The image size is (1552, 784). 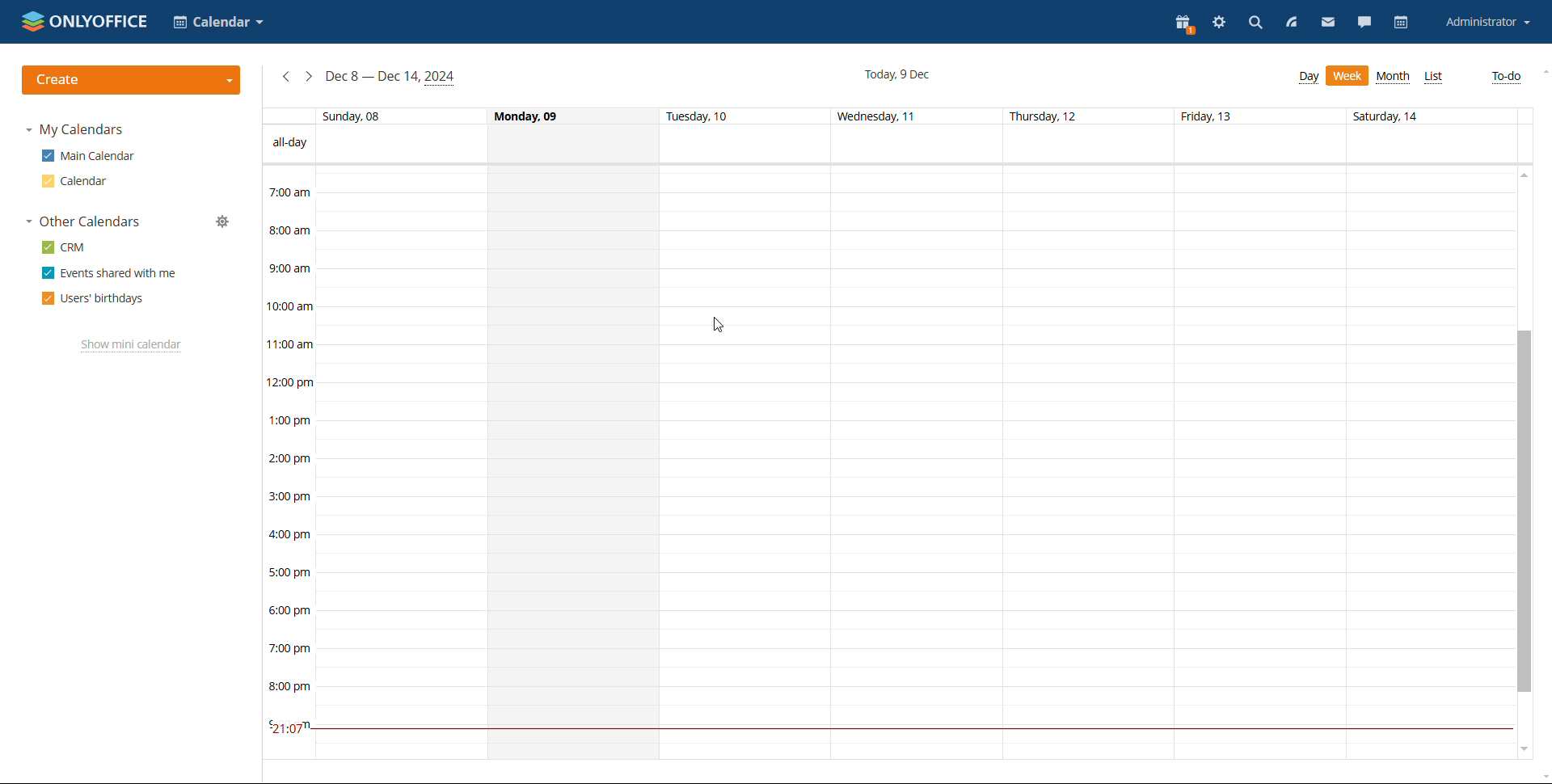 What do you see at coordinates (1542, 72) in the screenshot?
I see `scroll up` at bounding box center [1542, 72].